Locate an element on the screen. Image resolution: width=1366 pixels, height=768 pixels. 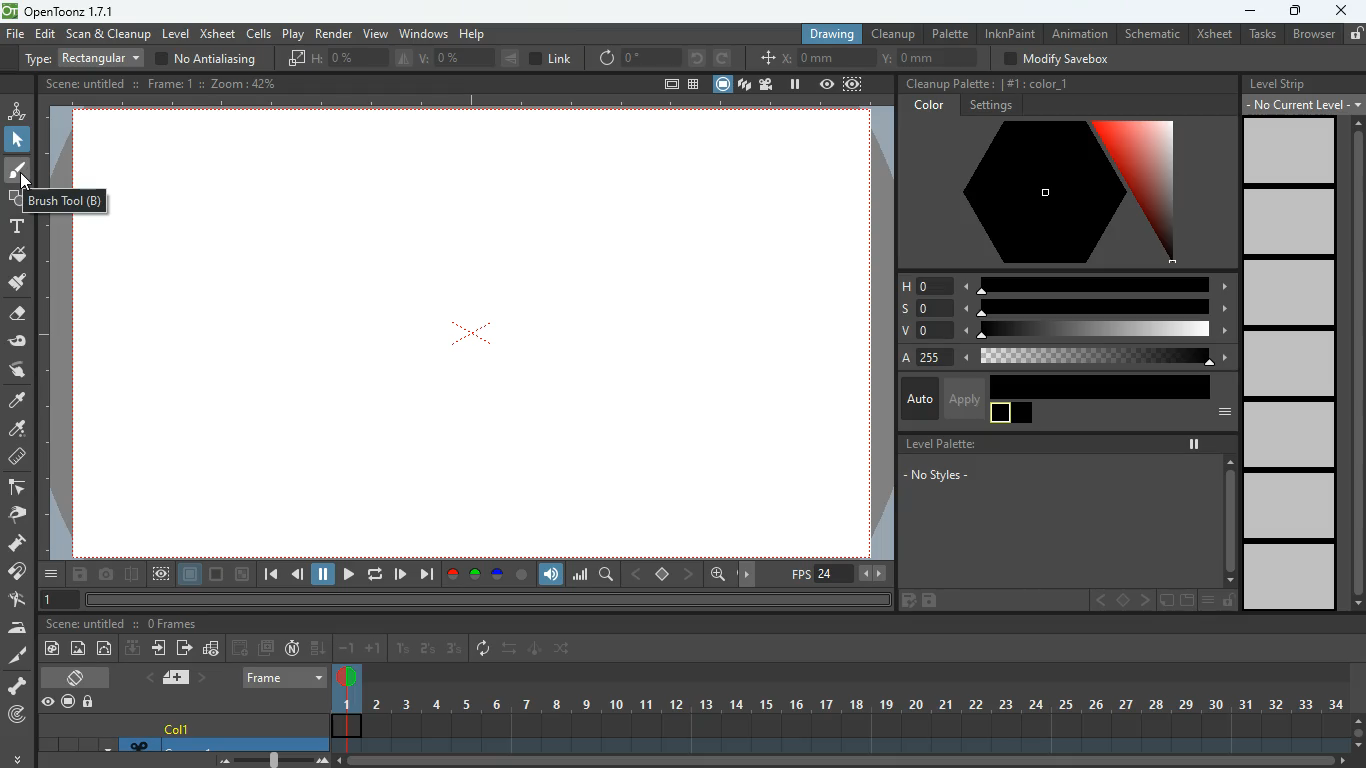
tipe is located at coordinates (80, 59).